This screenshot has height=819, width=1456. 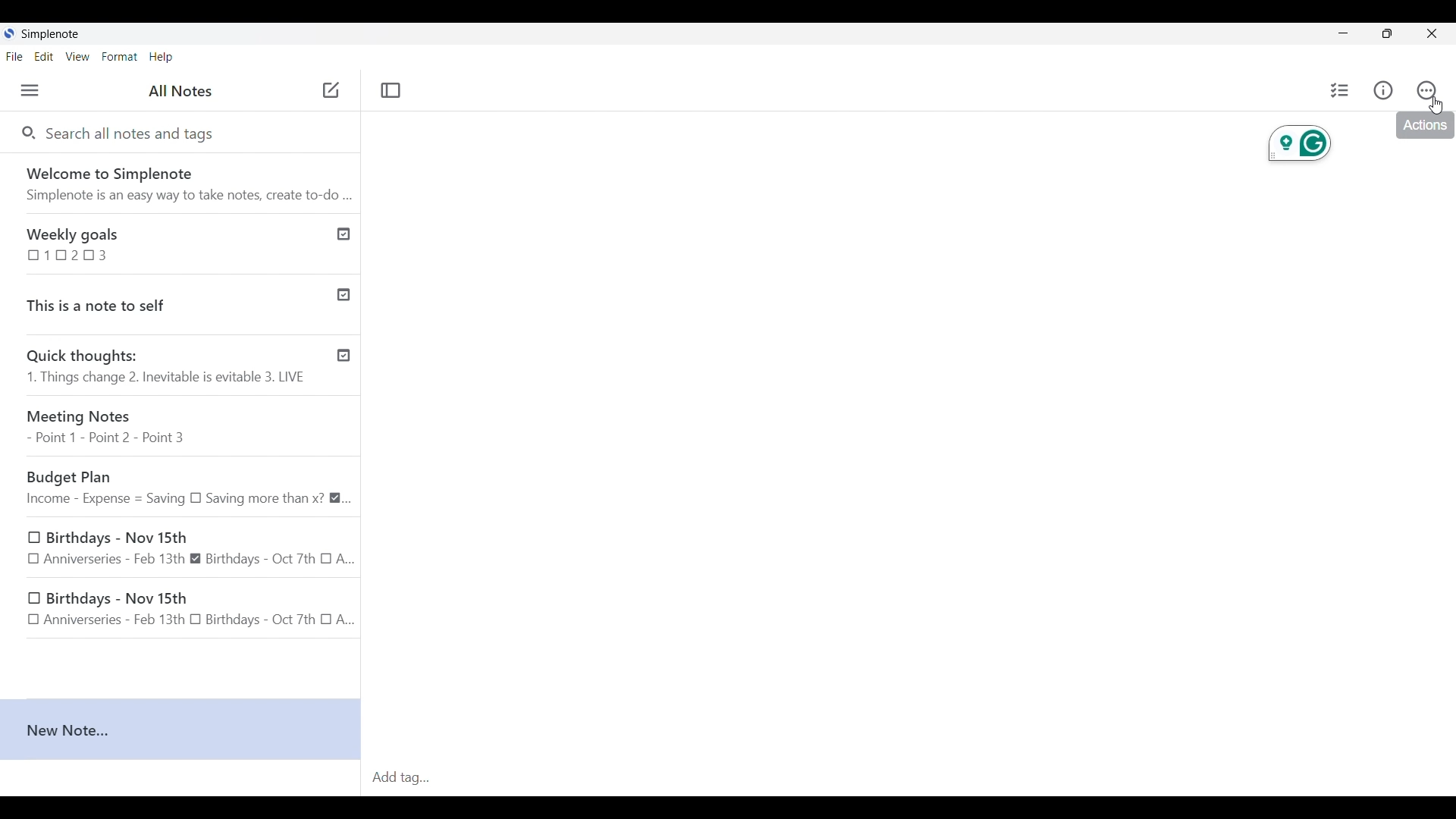 I want to click on New note, so click(x=180, y=730).